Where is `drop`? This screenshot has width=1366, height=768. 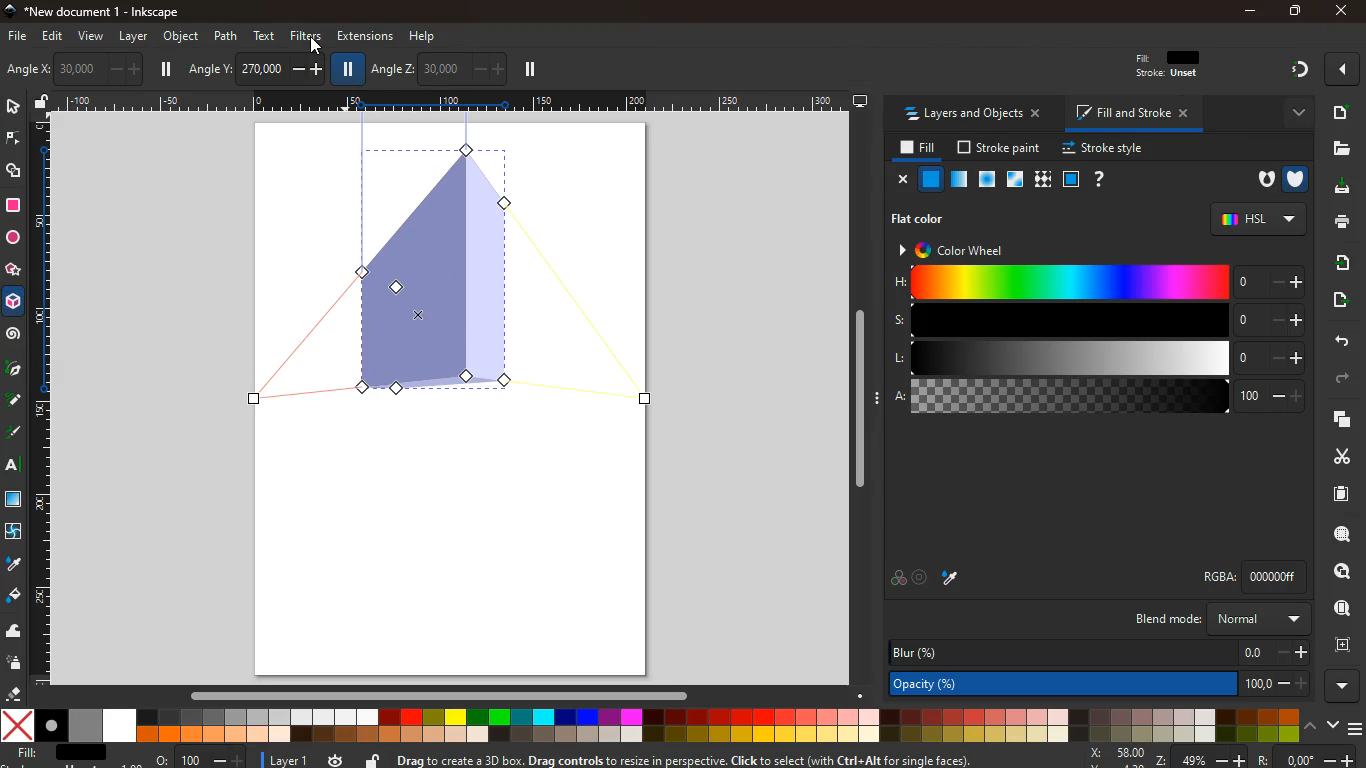
drop is located at coordinates (952, 578).